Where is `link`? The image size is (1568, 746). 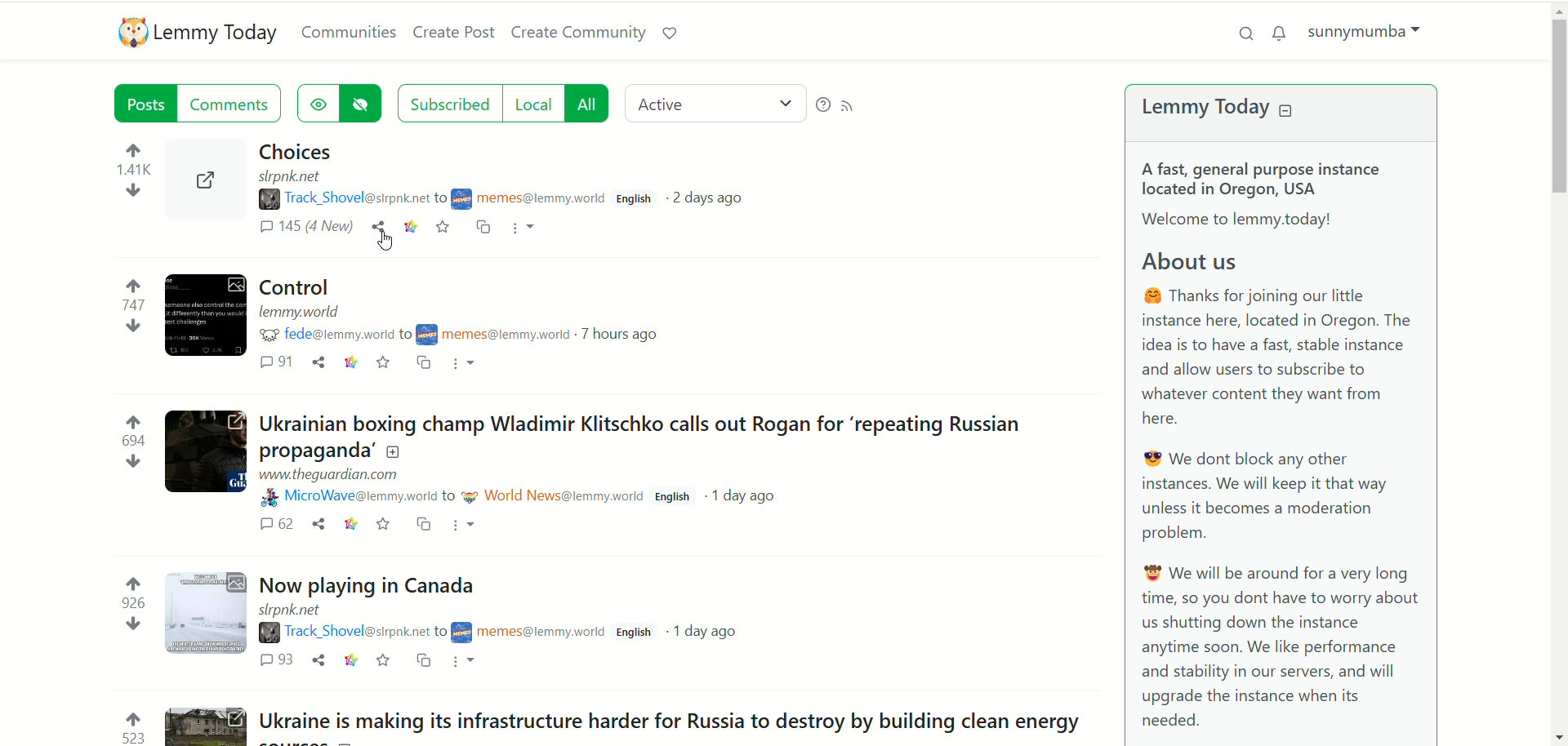 link is located at coordinates (348, 362).